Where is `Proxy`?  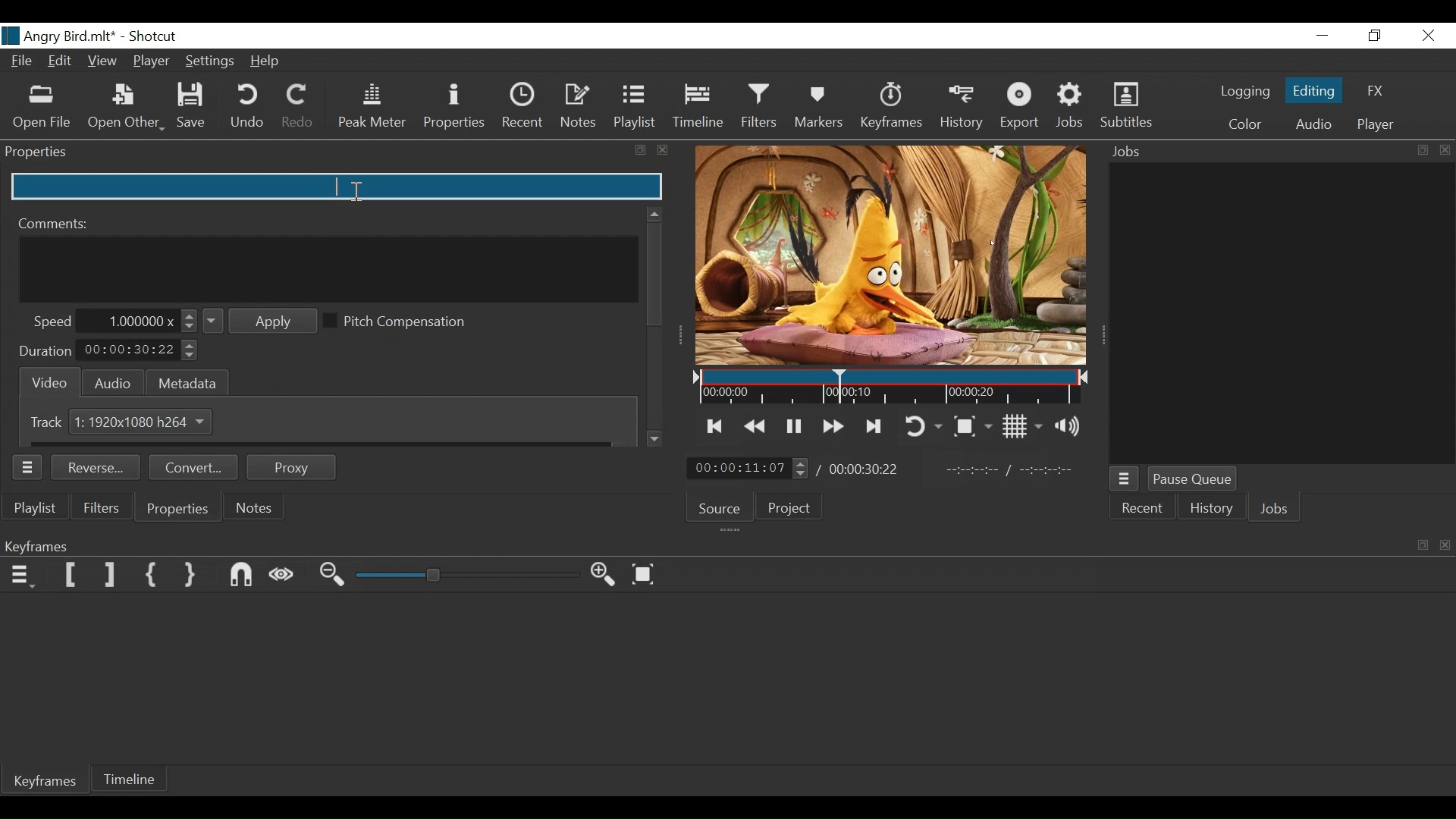
Proxy is located at coordinates (292, 467).